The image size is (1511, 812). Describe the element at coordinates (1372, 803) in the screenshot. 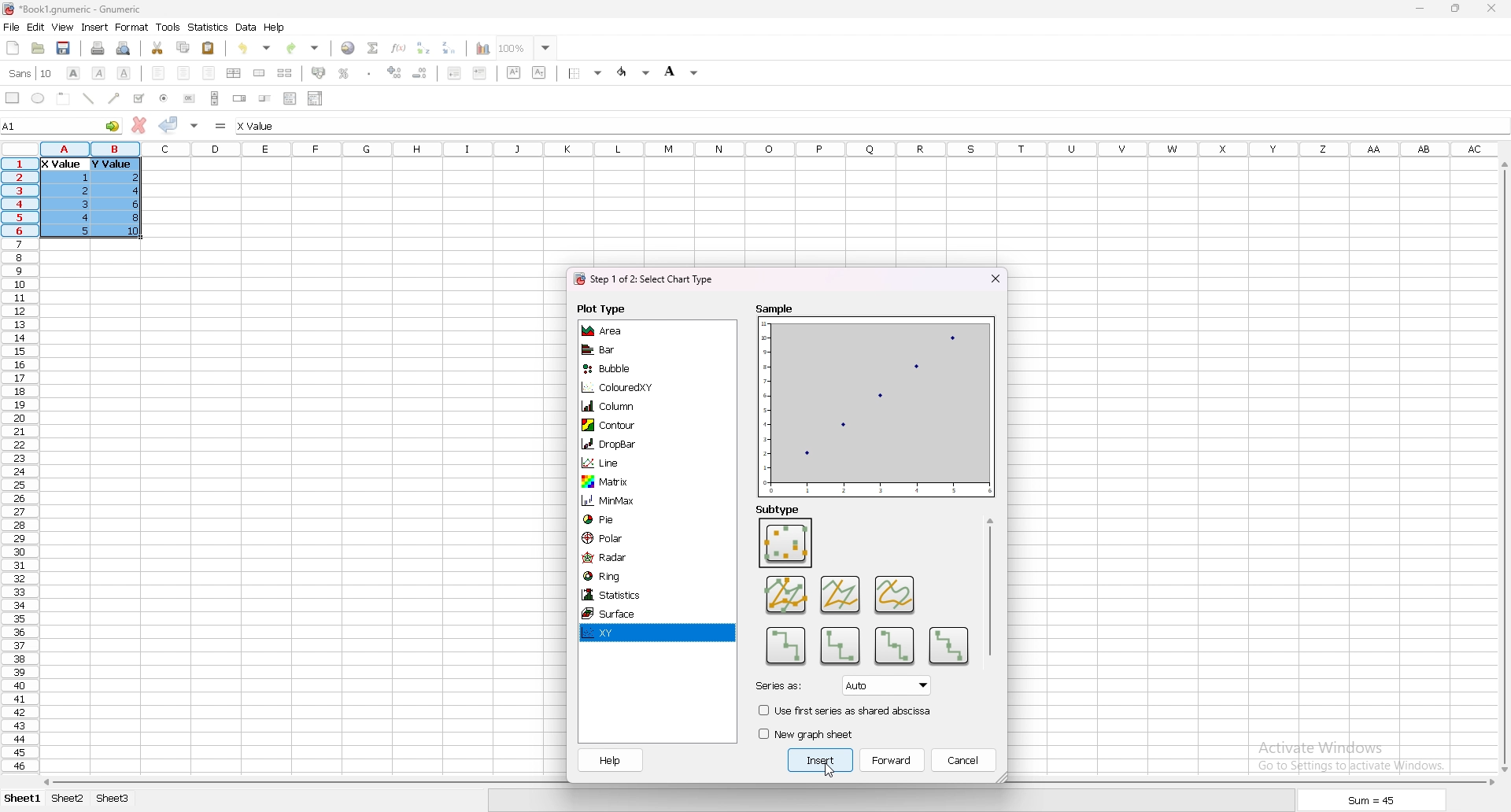

I see `sum` at that location.